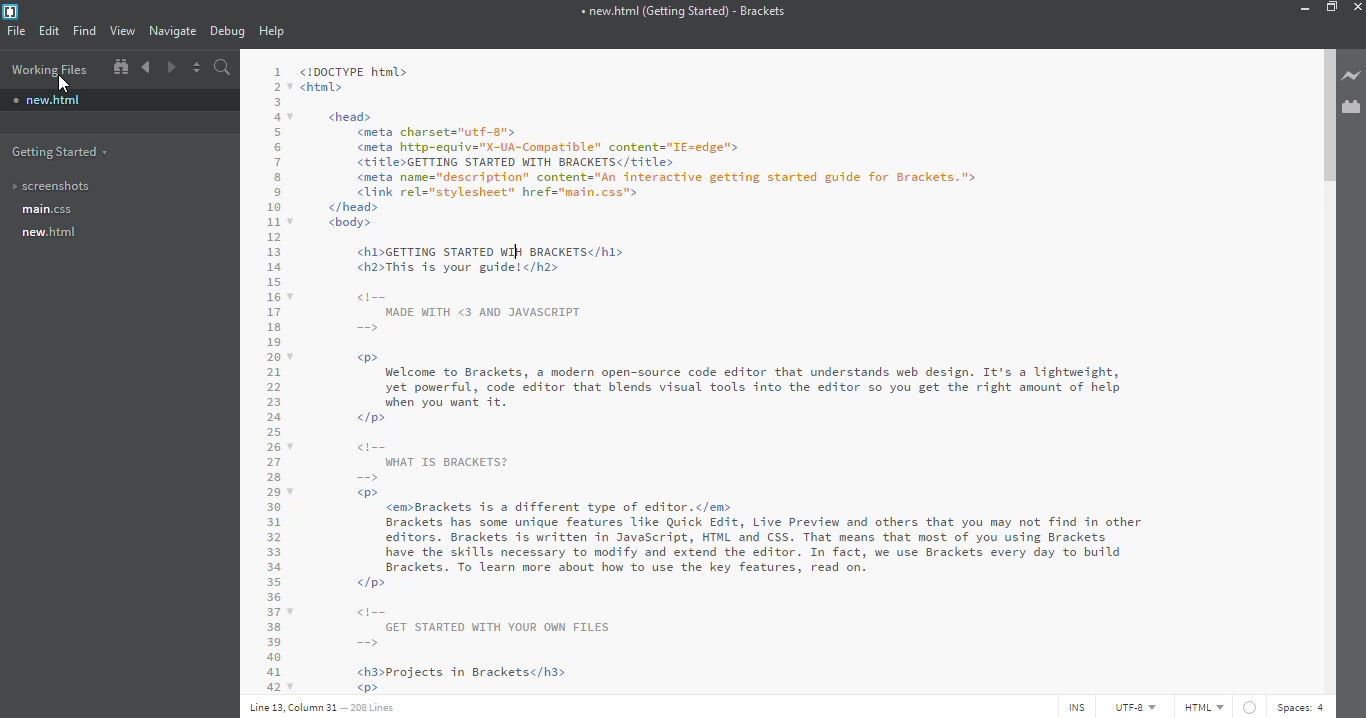  What do you see at coordinates (50, 30) in the screenshot?
I see `edit` at bounding box center [50, 30].